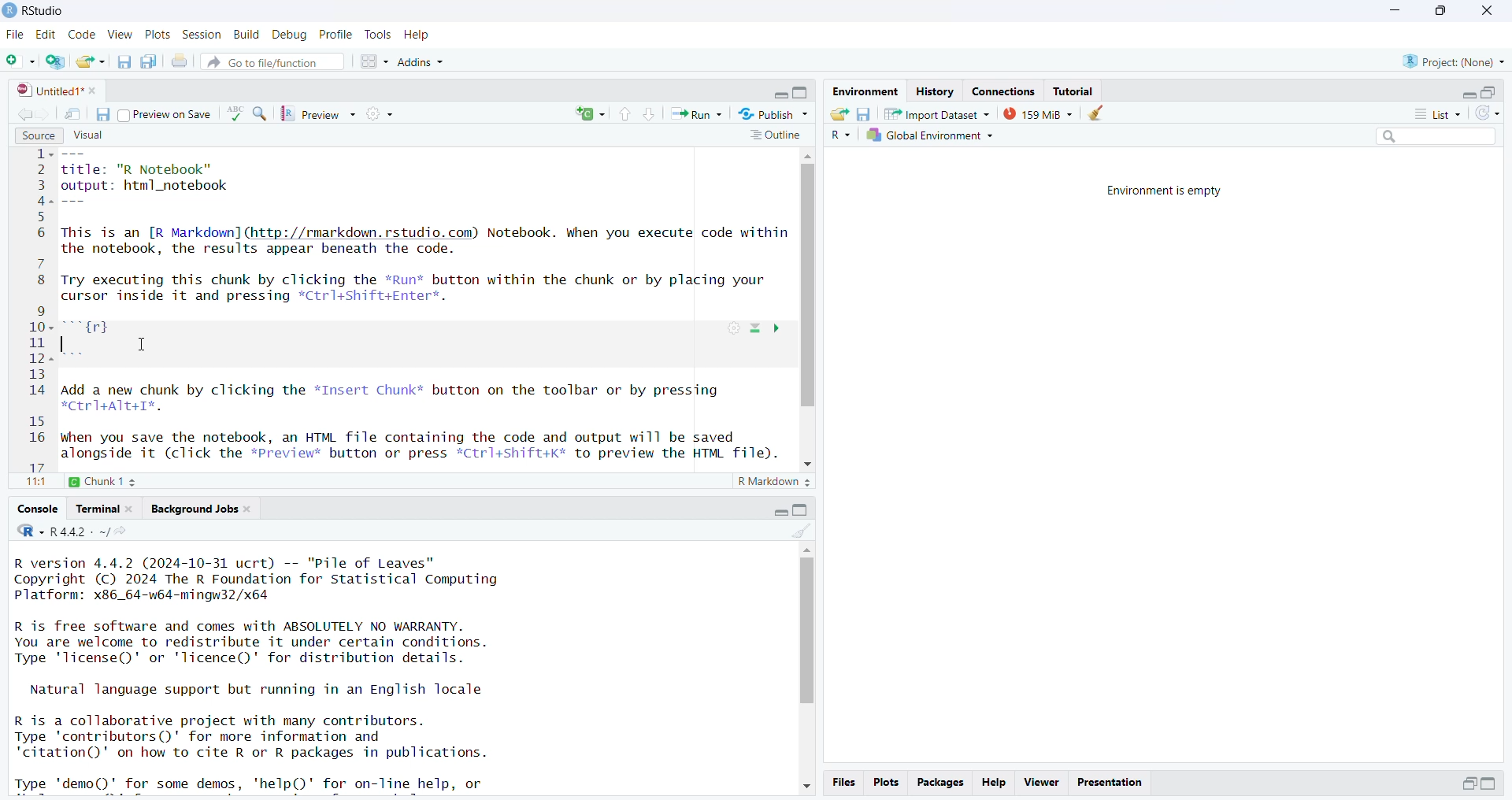  What do you see at coordinates (166, 116) in the screenshot?
I see `preview on save` at bounding box center [166, 116].